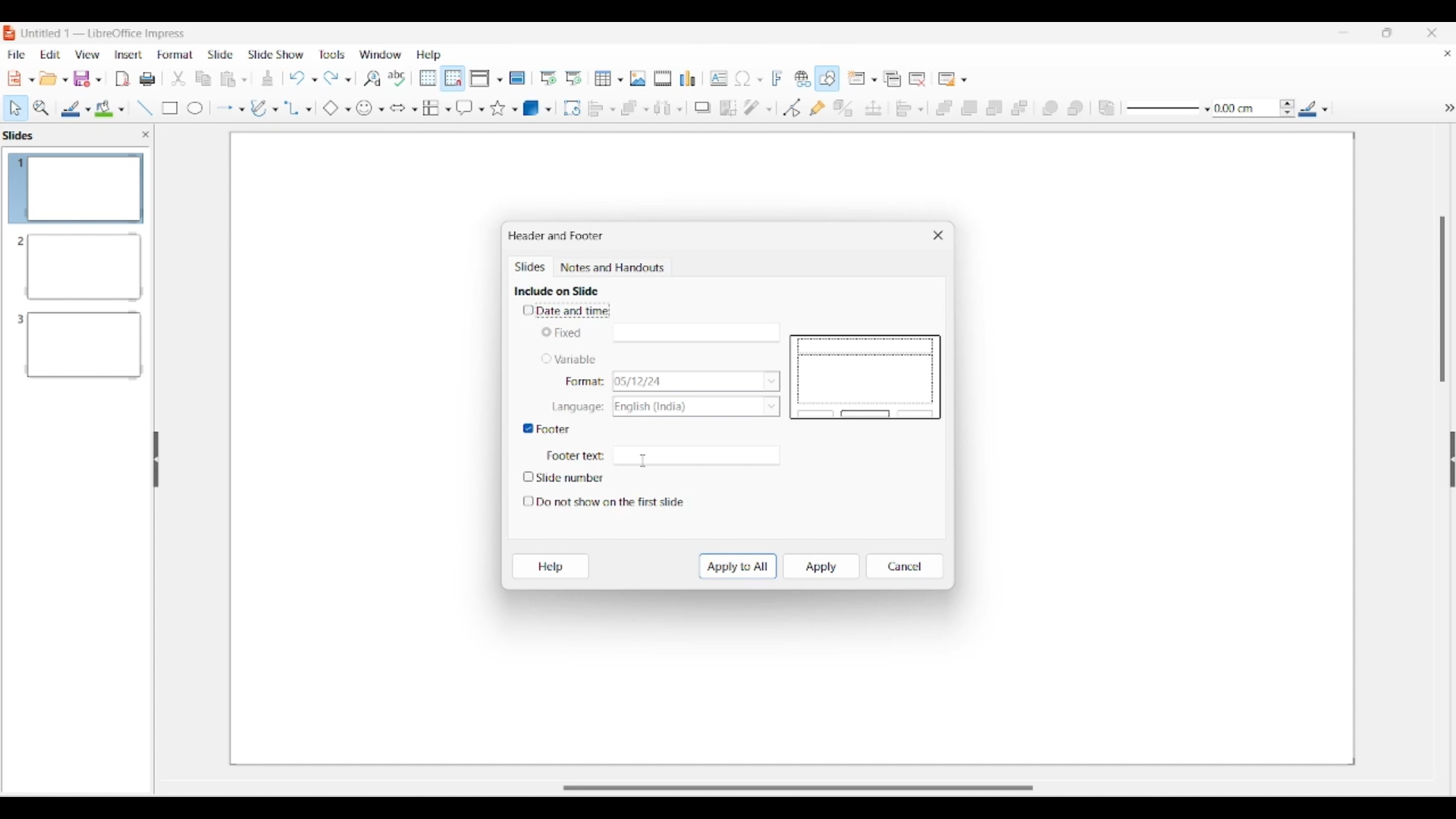  What do you see at coordinates (995, 108) in the screenshot?
I see `Send backward` at bounding box center [995, 108].